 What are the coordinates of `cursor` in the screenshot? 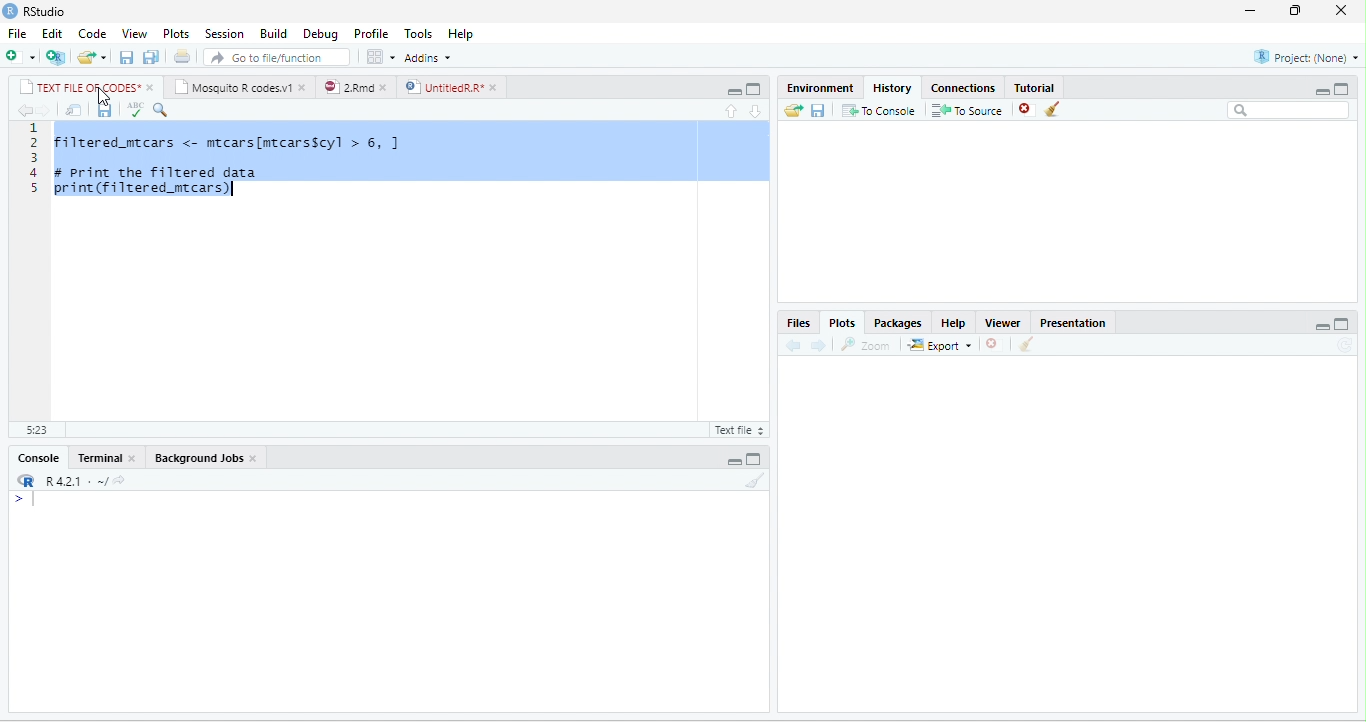 It's located at (104, 96).